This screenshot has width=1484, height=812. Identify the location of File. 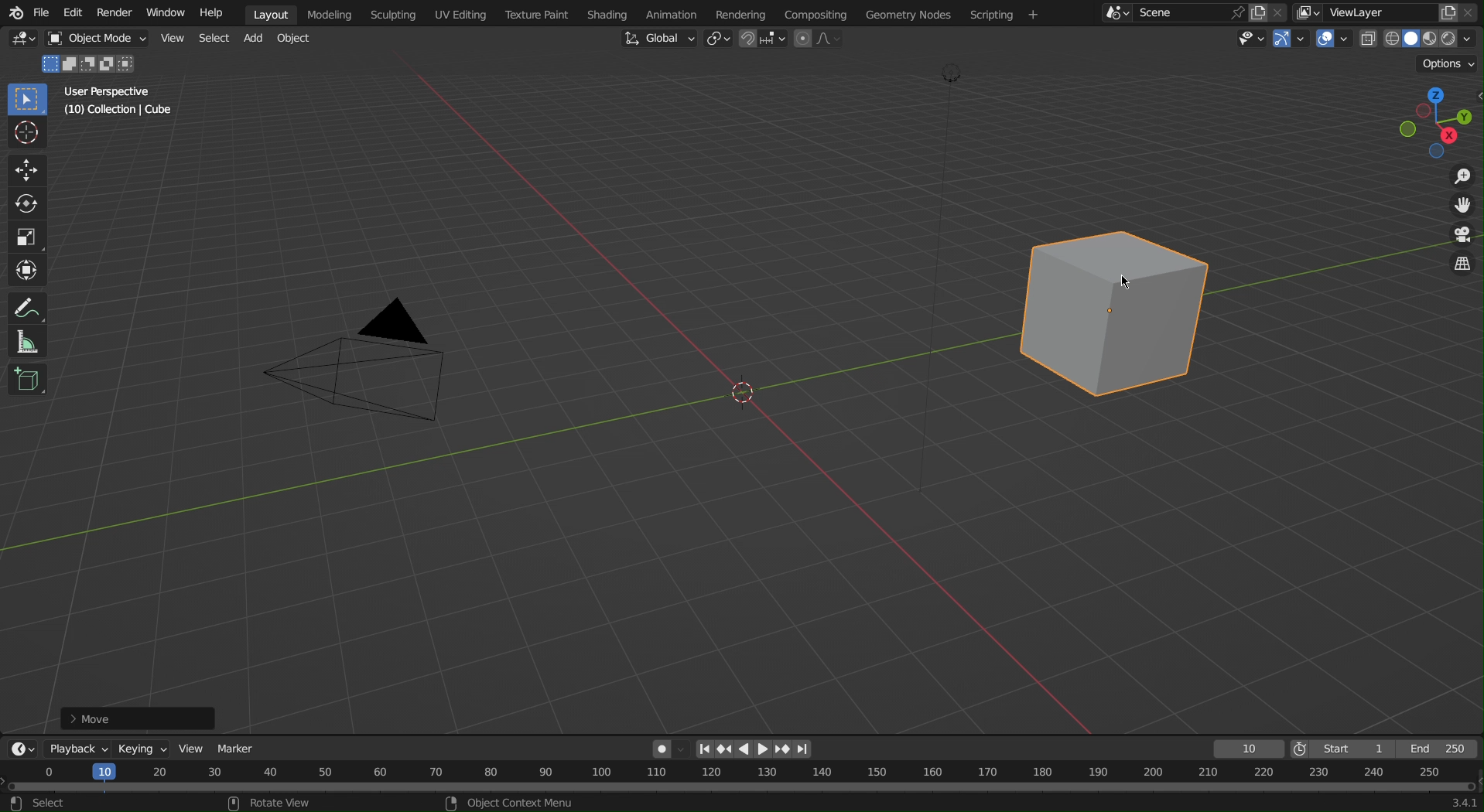
(41, 12).